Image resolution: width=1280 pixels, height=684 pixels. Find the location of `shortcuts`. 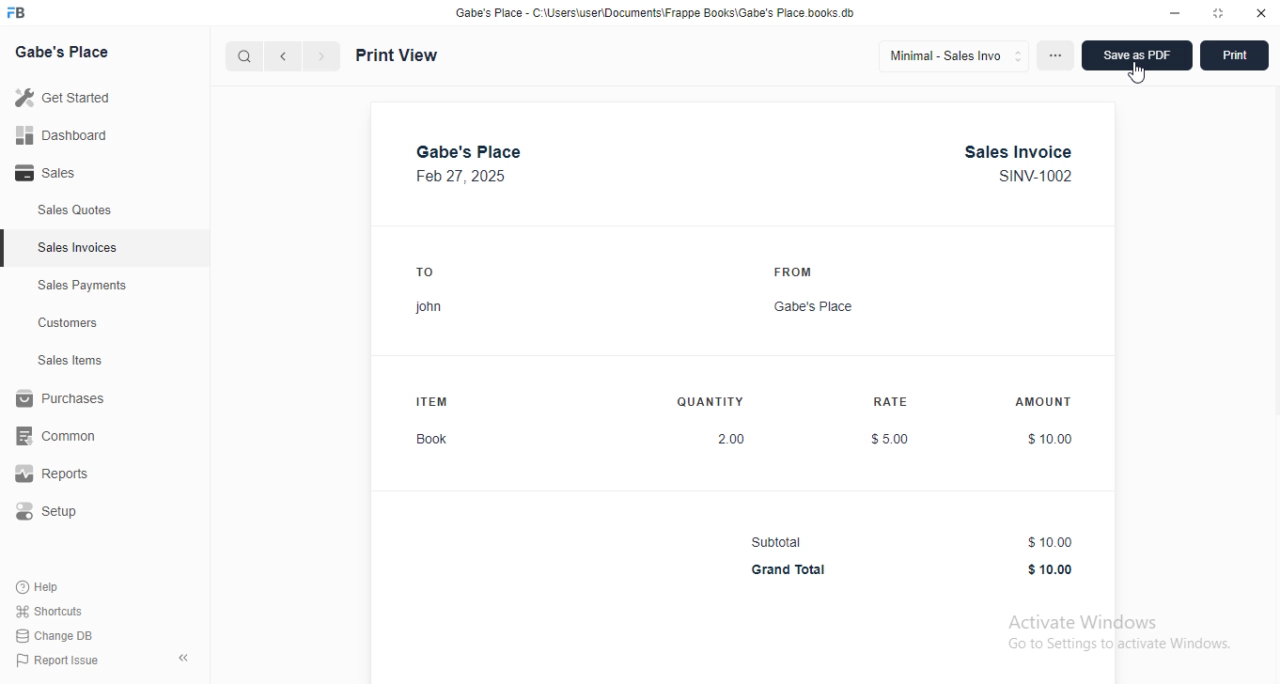

shortcuts is located at coordinates (50, 611).